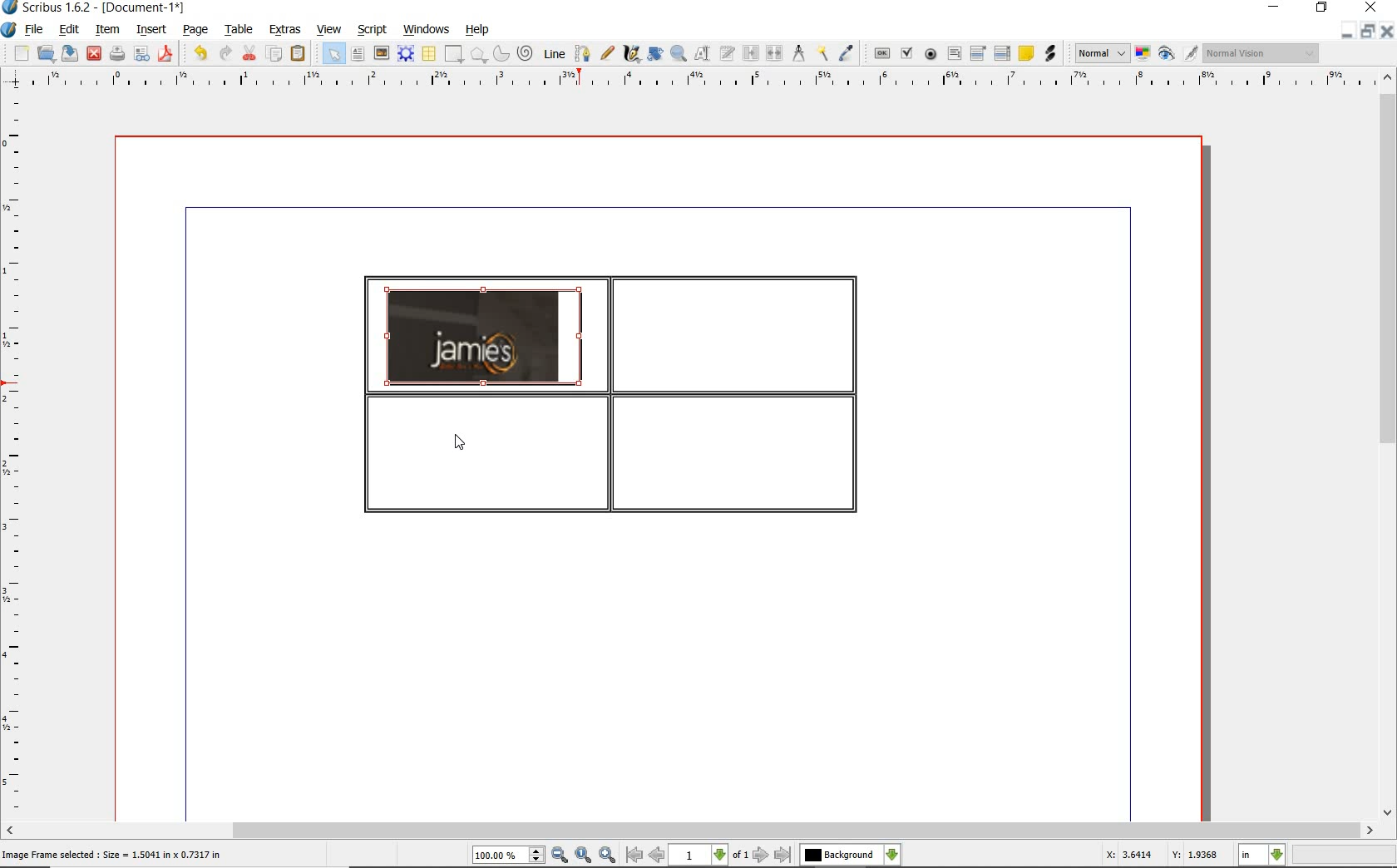  What do you see at coordinates (1345, 32) in the screenshot?
I see `minimize` at bounding box center [1345, 32].